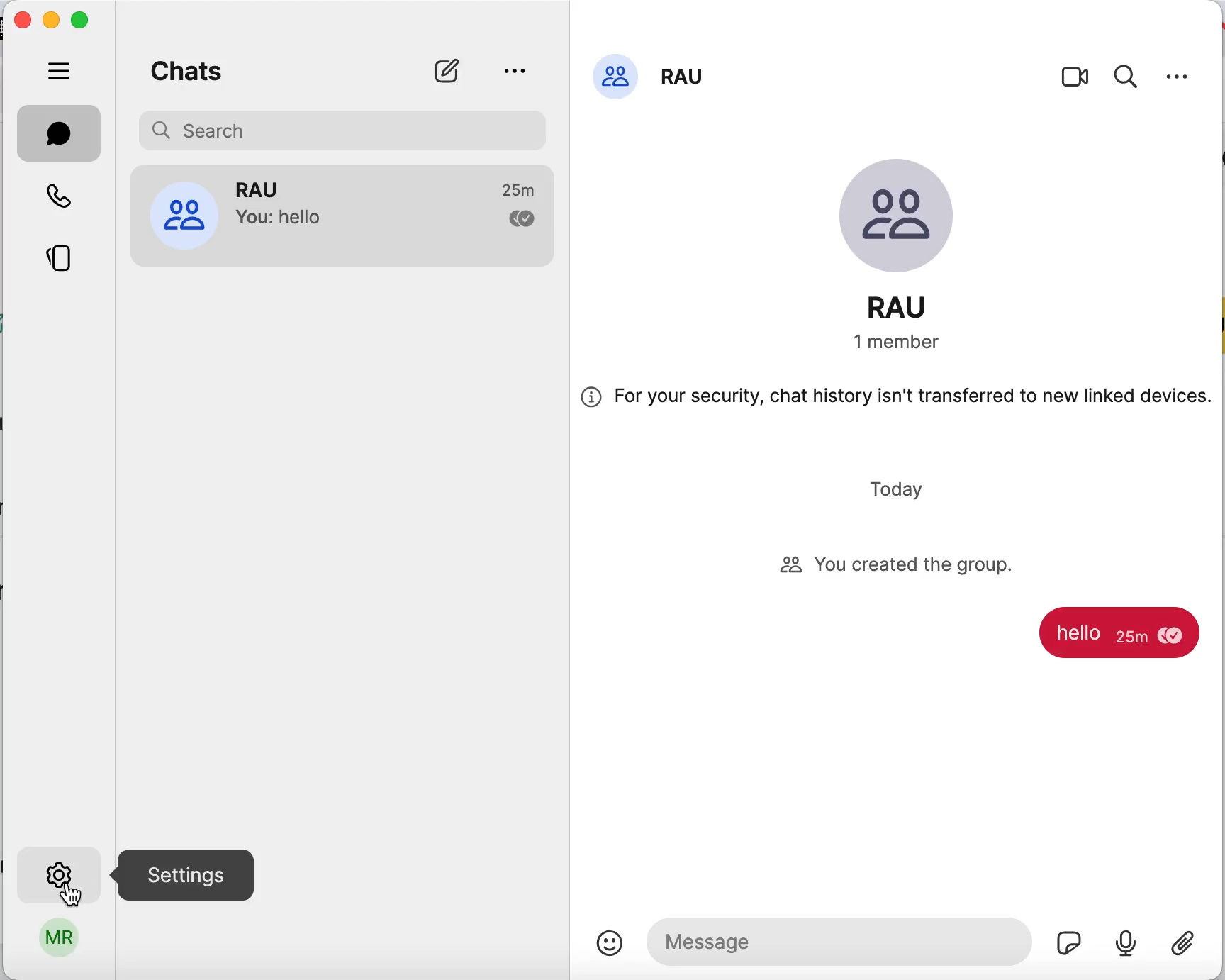 The height and width of the screenshot is (980, 1225). I want to click on view archive, so click(518, 72).